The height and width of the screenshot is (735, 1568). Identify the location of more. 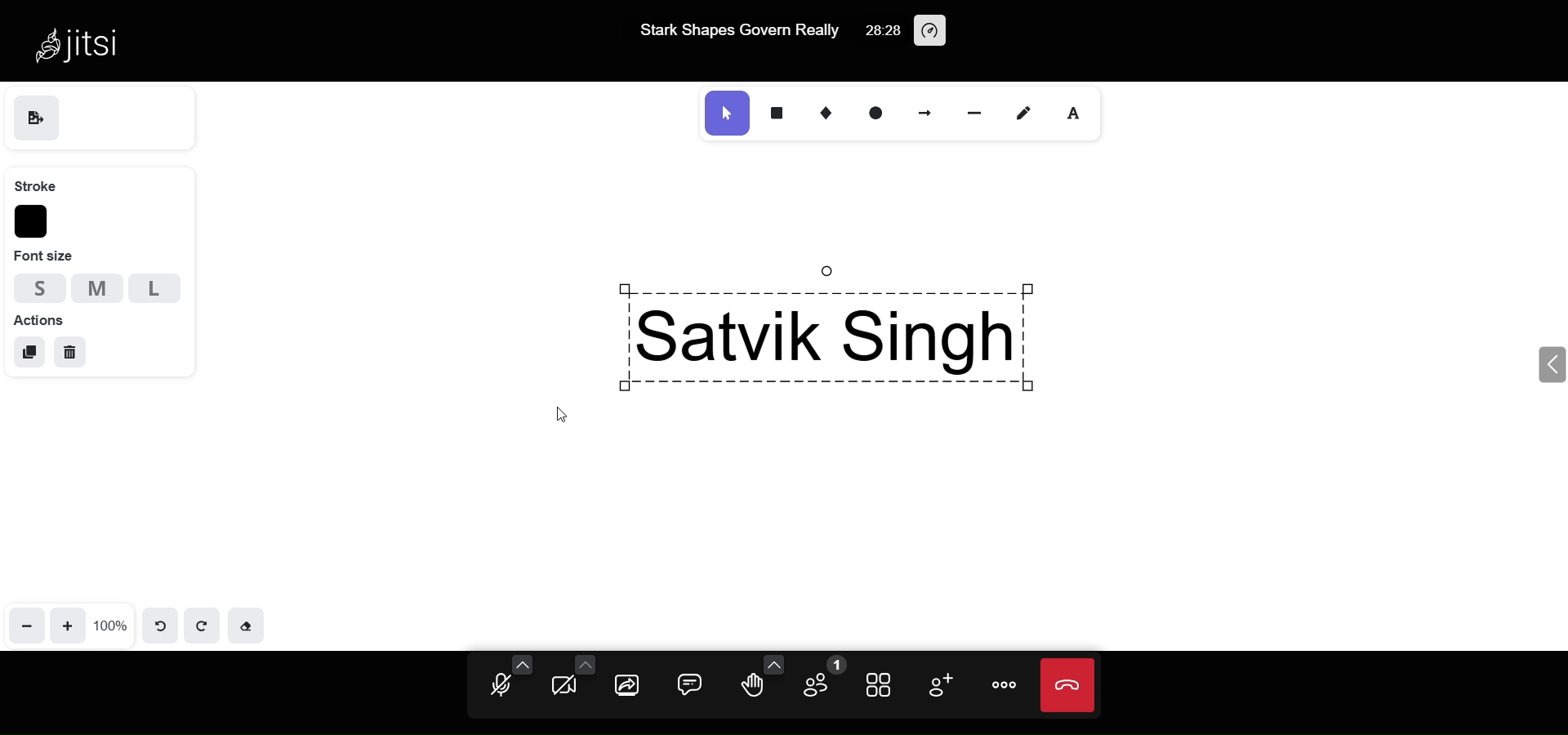
(1006, 687).